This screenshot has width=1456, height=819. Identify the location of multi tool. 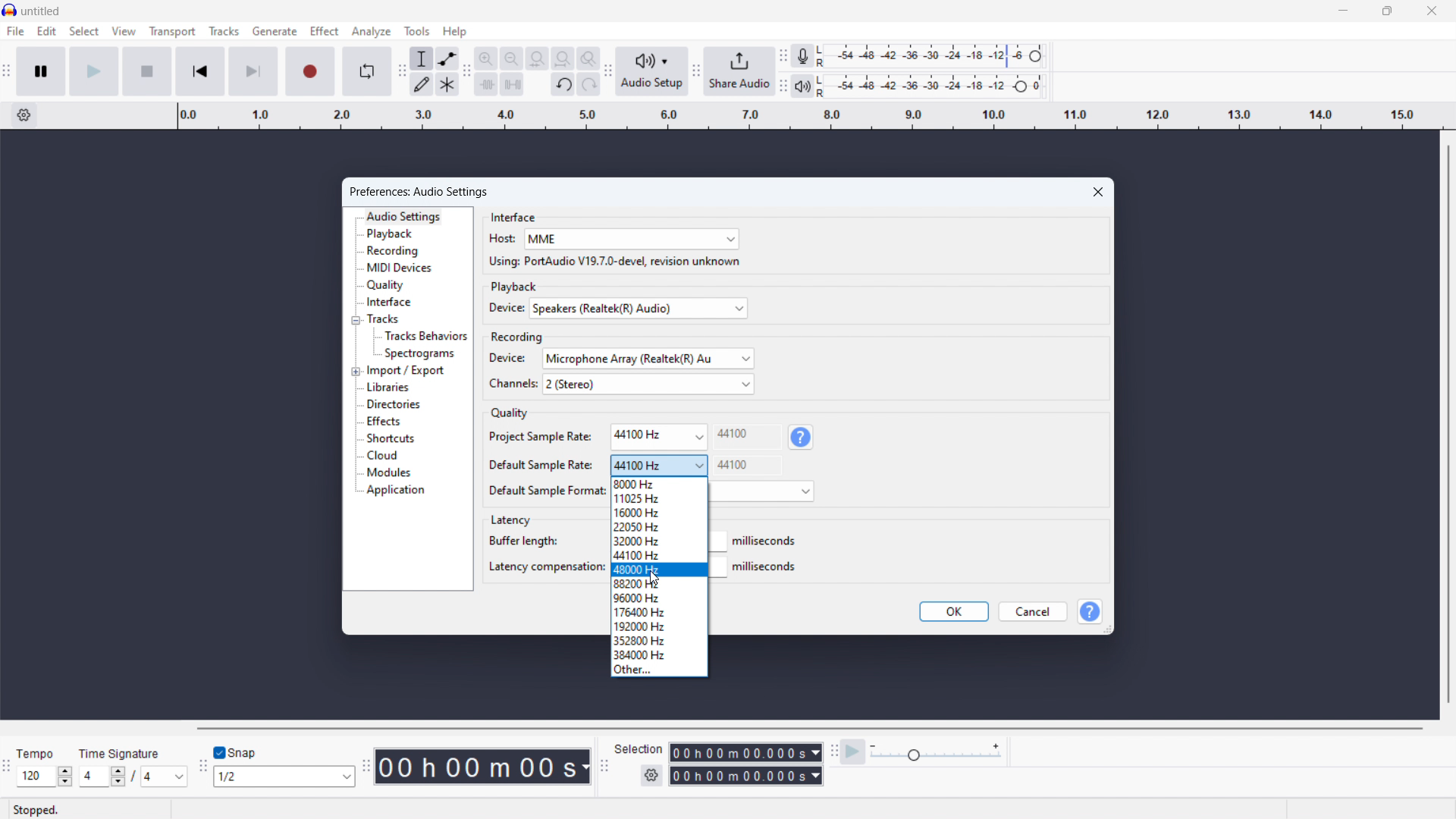
(447, 84).